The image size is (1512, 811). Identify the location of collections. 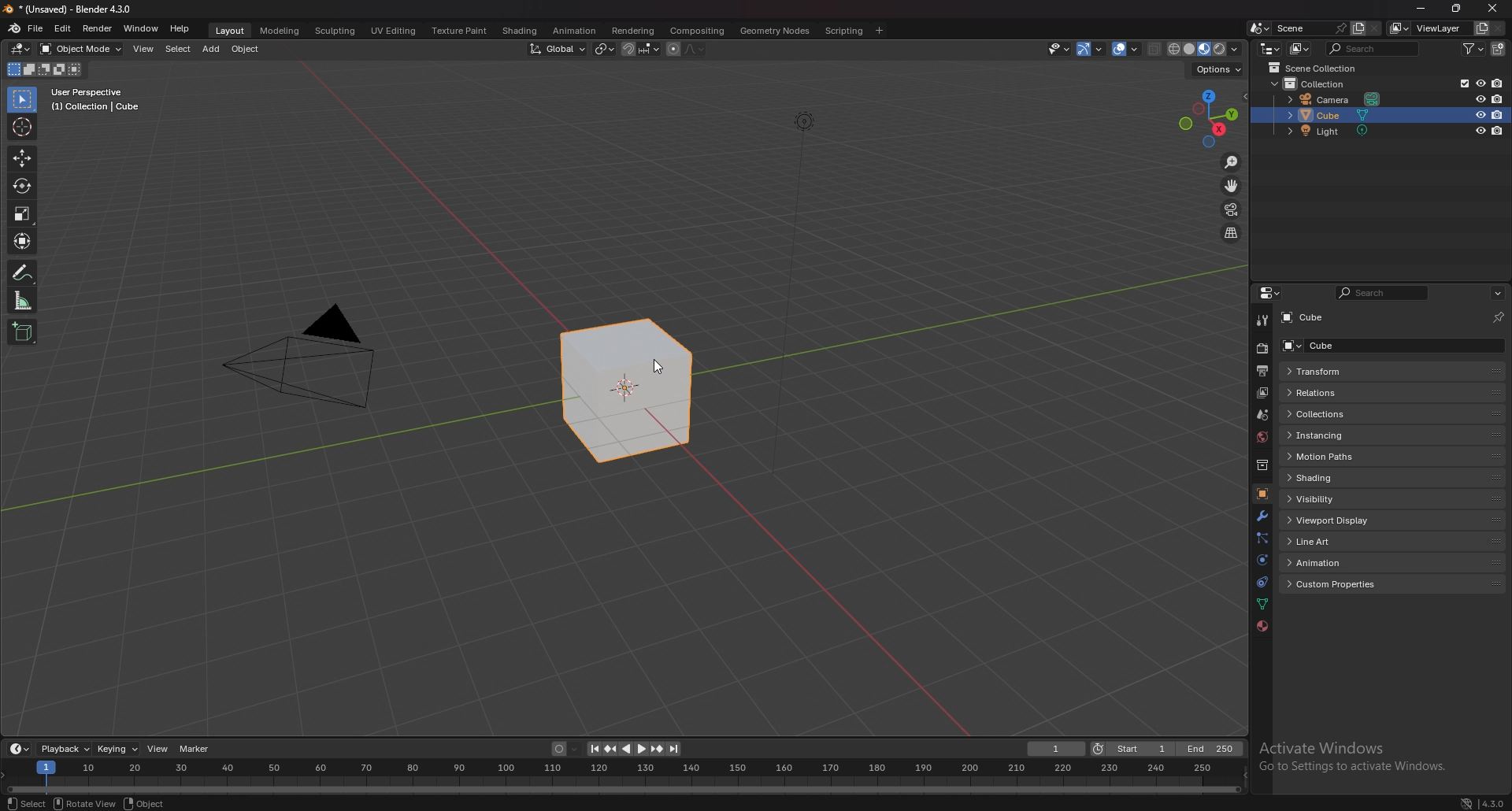
(1346, 413).